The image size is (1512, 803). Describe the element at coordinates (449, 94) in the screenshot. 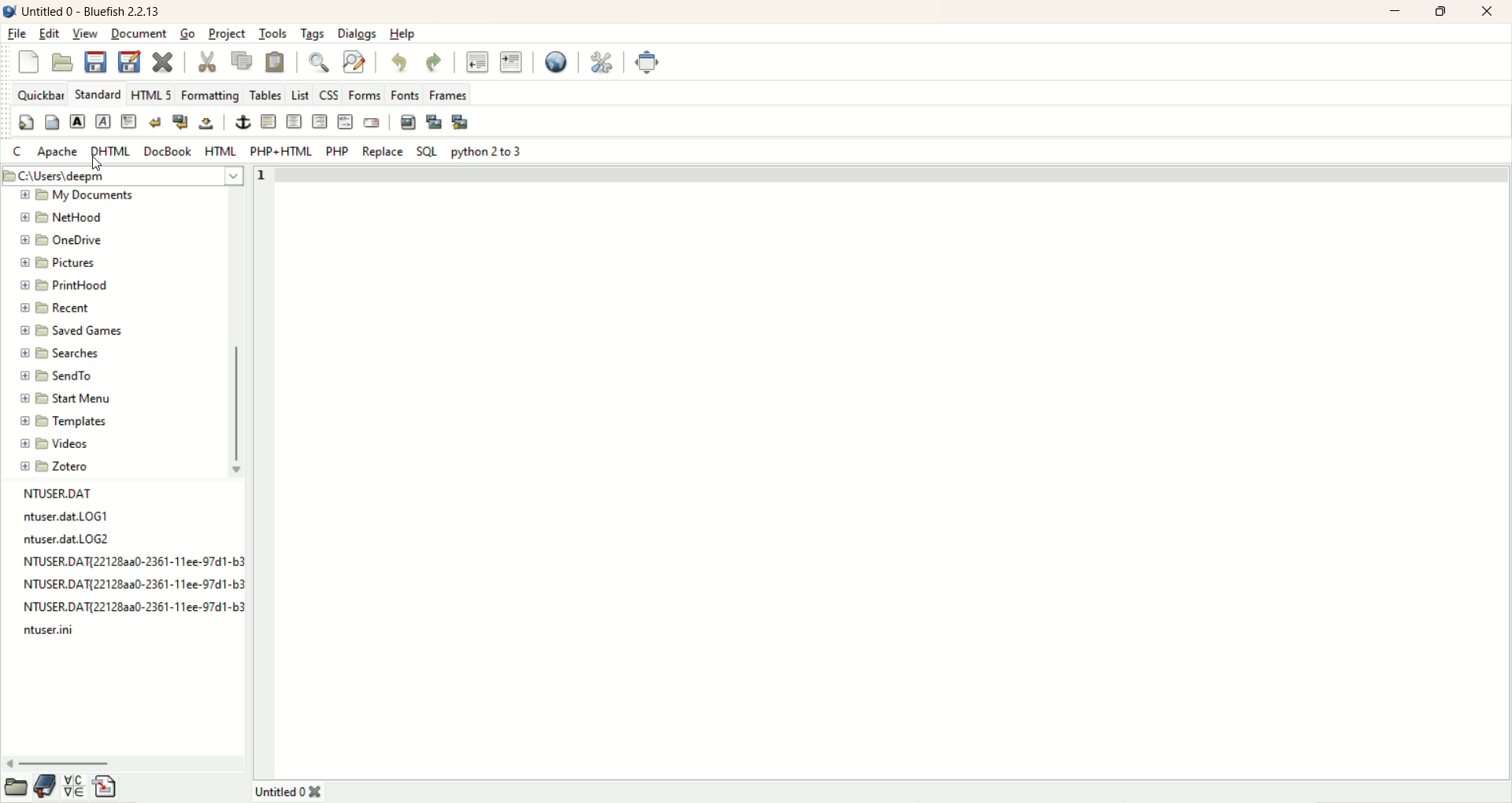

I see `frames` at that location.